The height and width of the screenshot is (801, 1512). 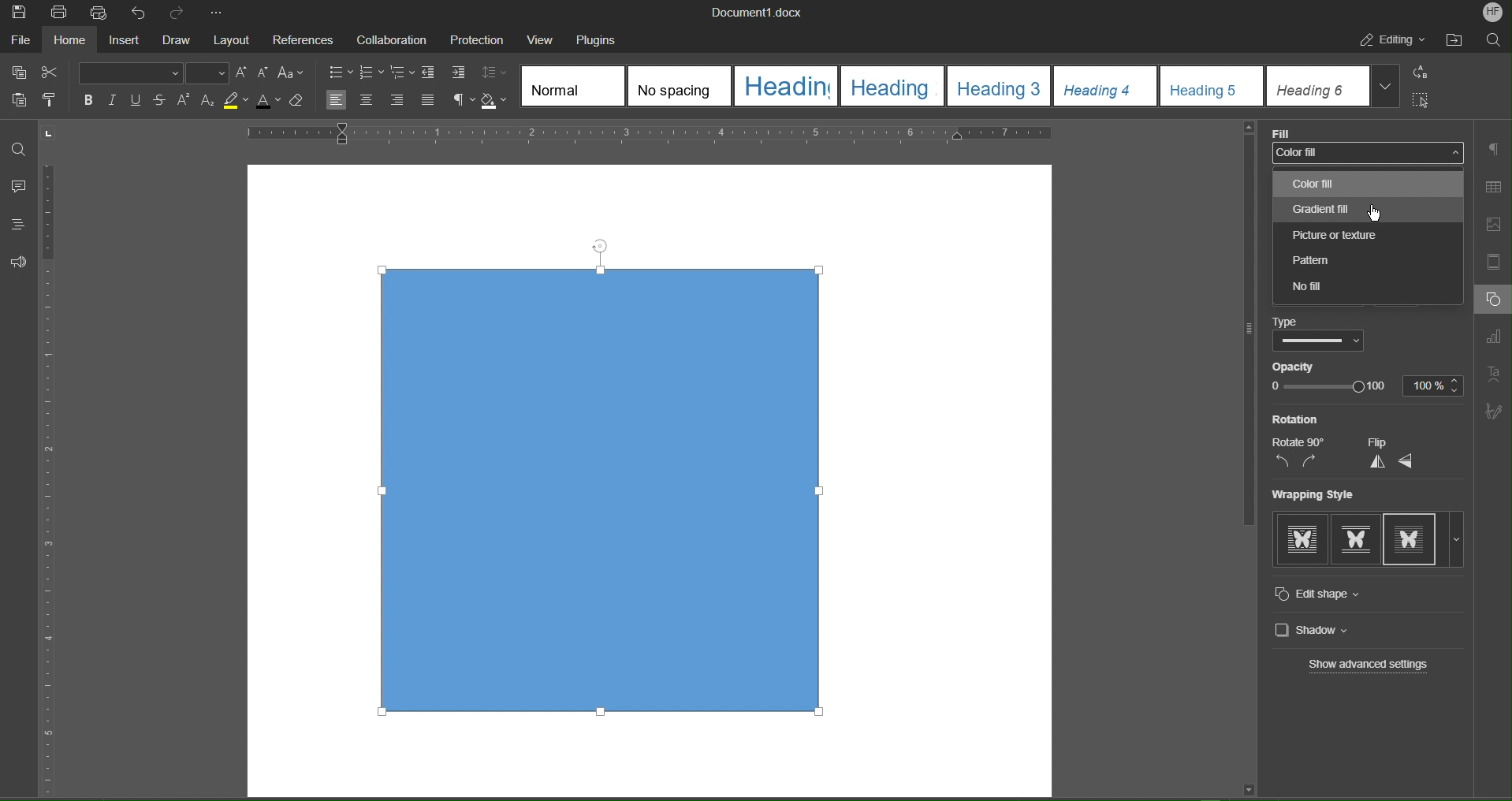 What do you see at coordinates (234, 38) in the screenshot?
I see `Layout` at bounding box center [234, 38].